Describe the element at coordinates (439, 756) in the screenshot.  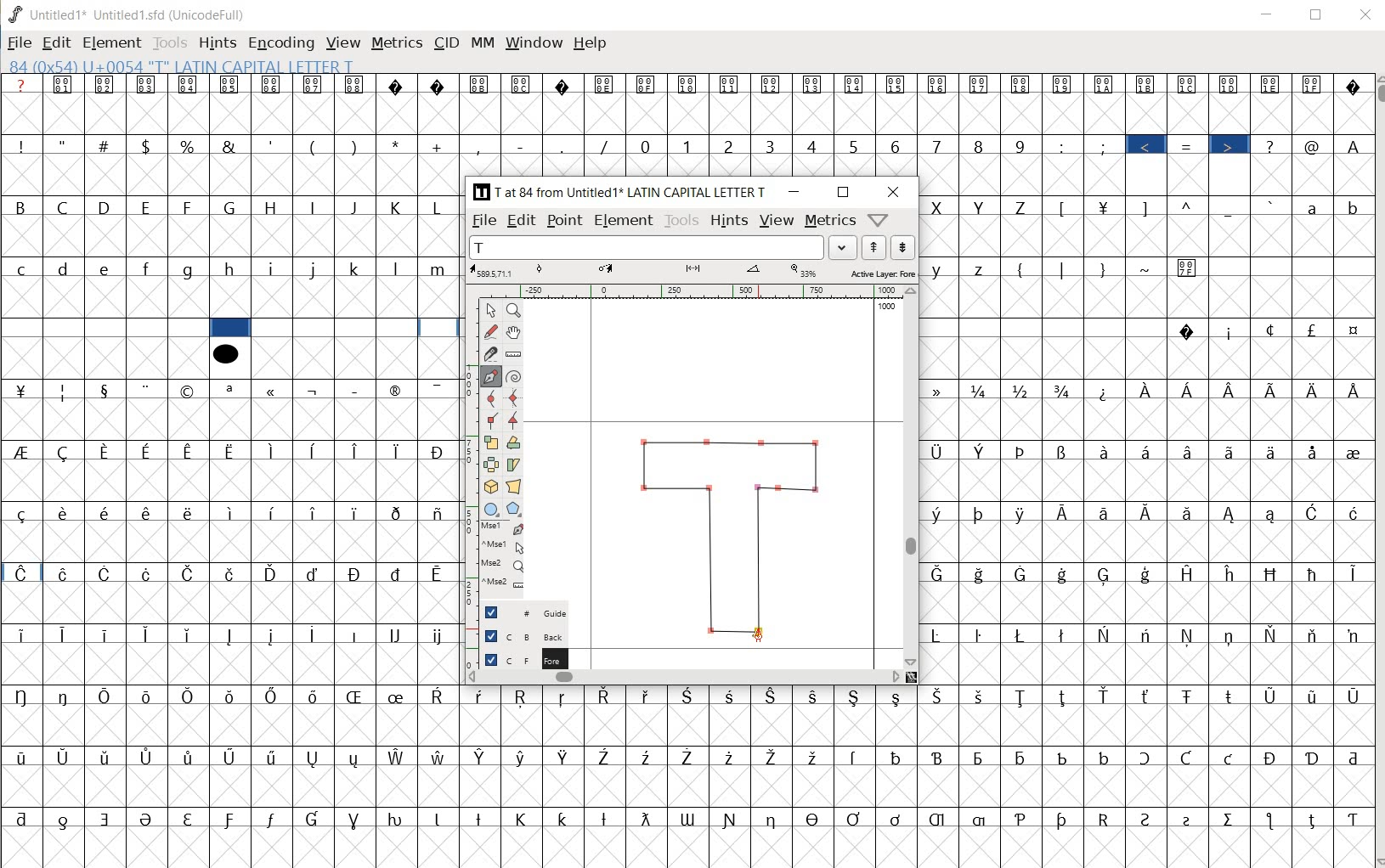
I see `Symbol` at that location.